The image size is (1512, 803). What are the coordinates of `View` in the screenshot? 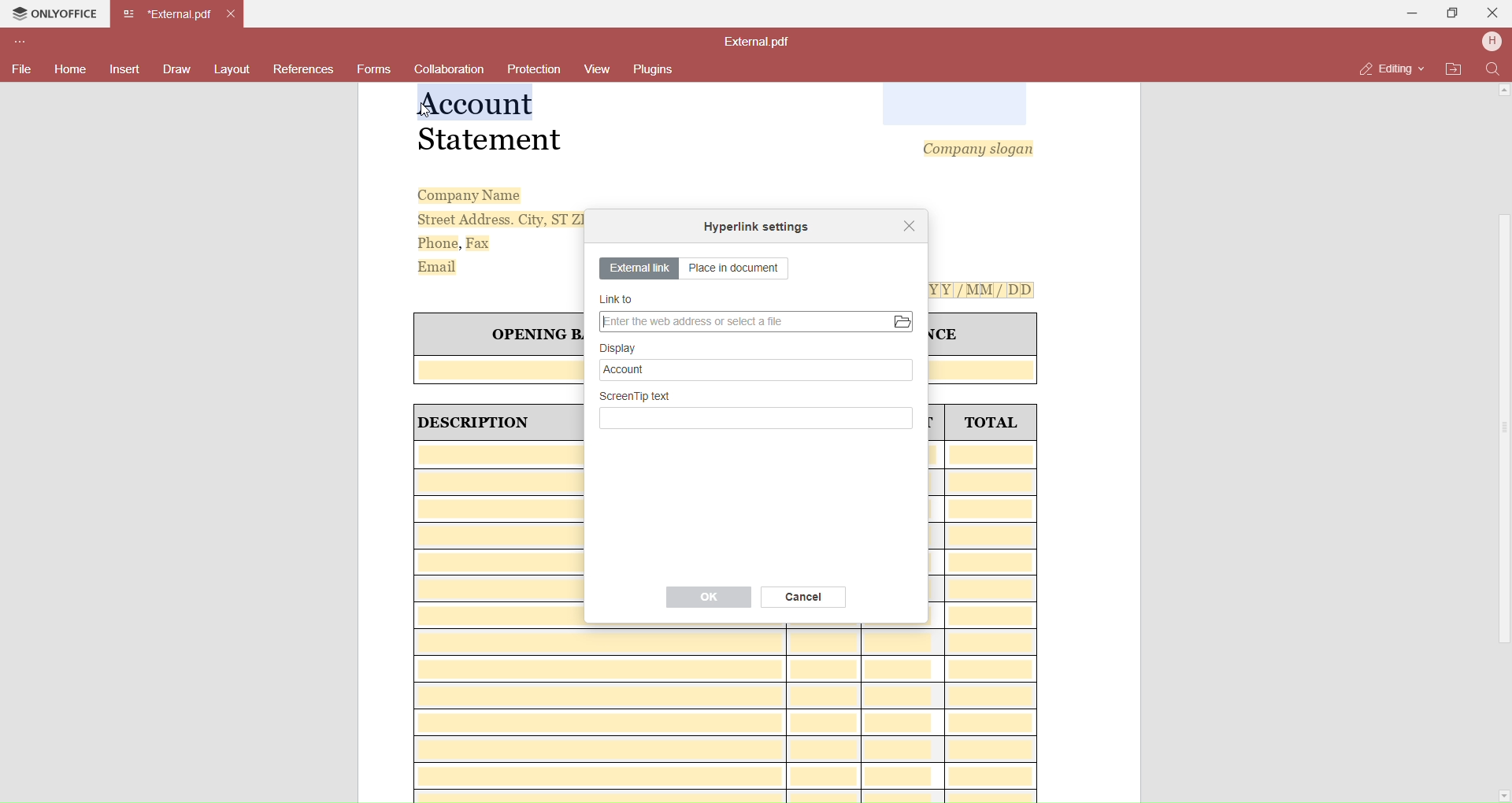 It's located at (595, 70).